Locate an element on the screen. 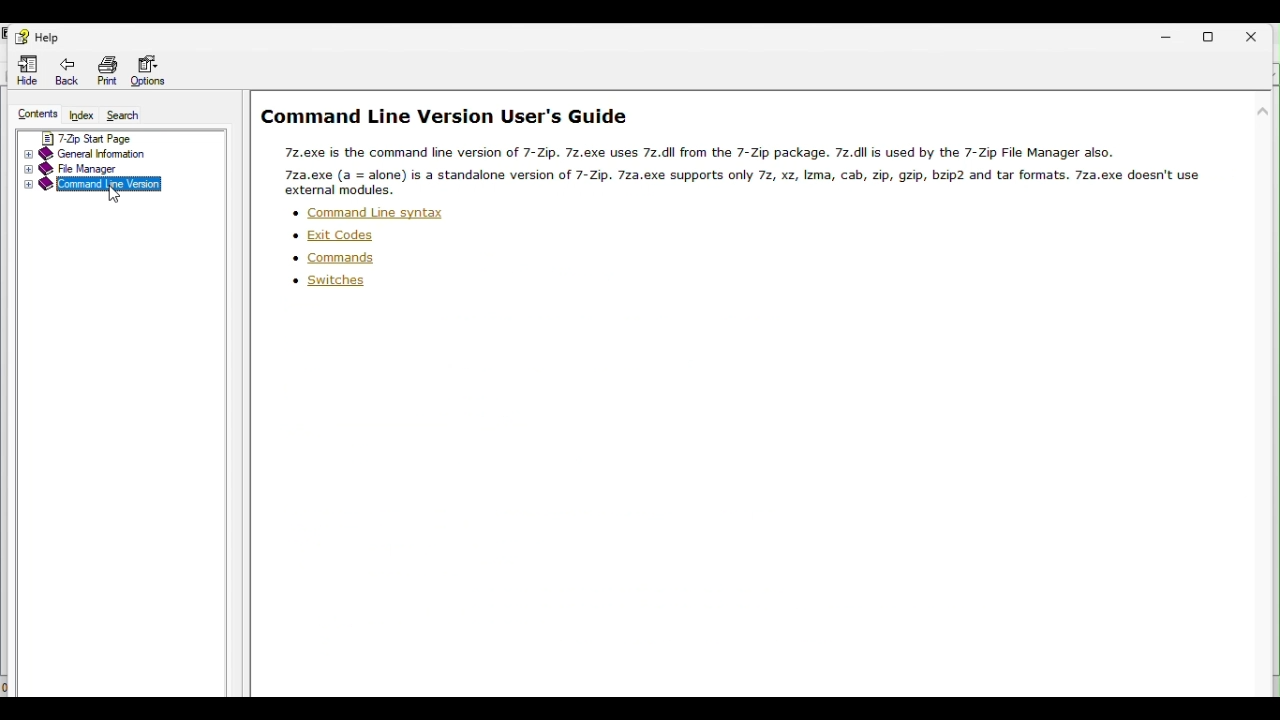  switches is located at coordinates (331, 283).